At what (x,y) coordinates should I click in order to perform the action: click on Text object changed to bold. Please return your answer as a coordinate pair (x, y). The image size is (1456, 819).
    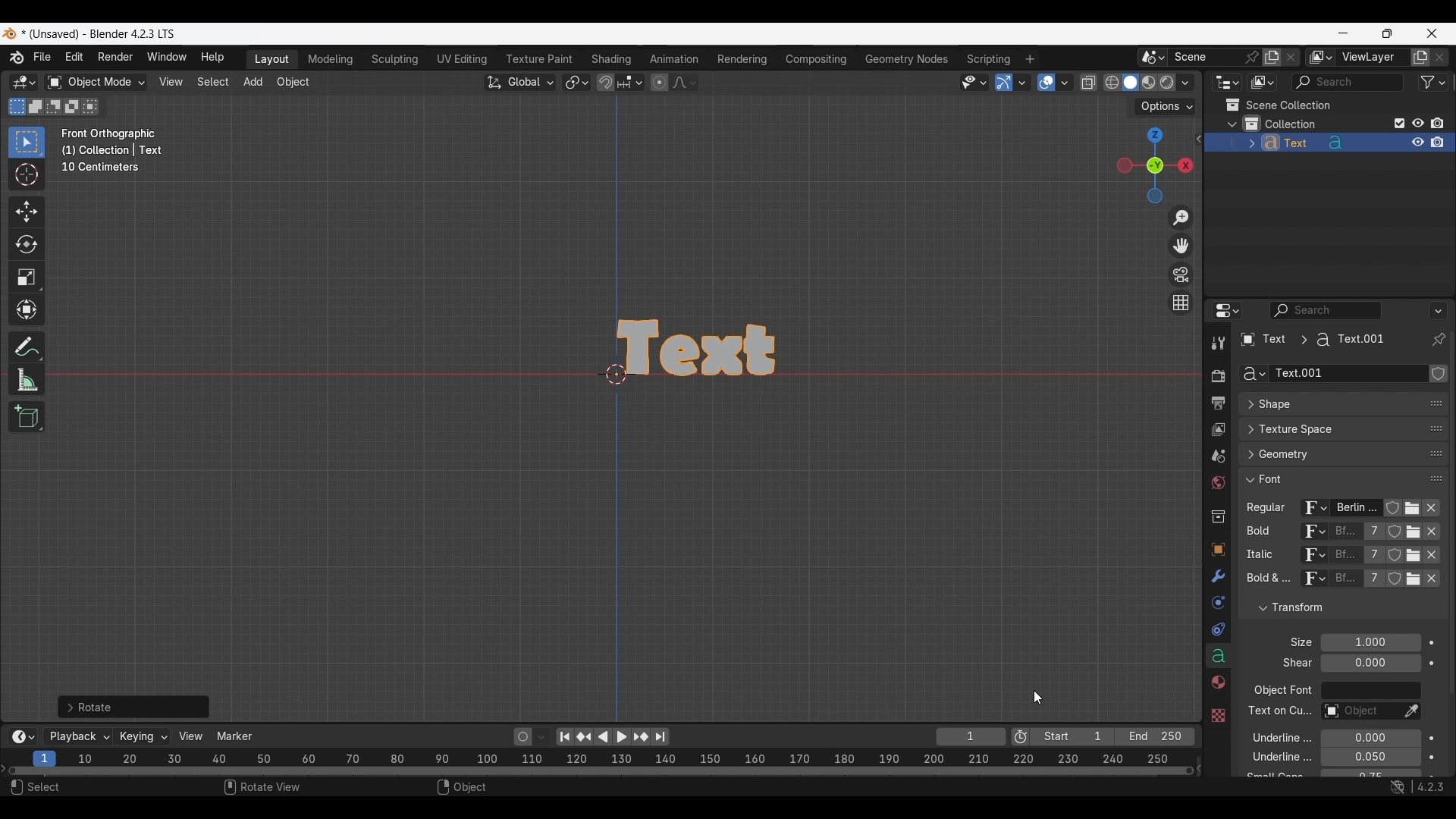
    Looking at the image, I should click on (716, 347).